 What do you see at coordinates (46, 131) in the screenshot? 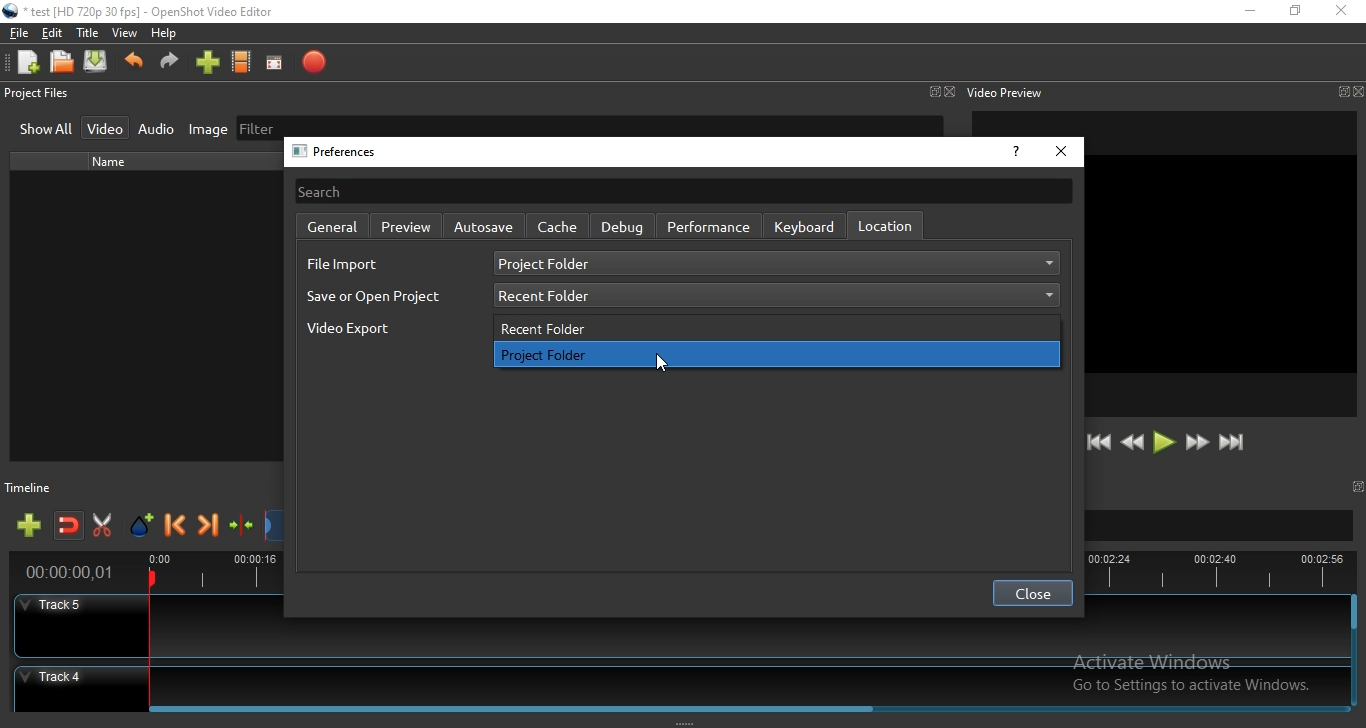
I see `Show all` at bounding box center [46, 131].